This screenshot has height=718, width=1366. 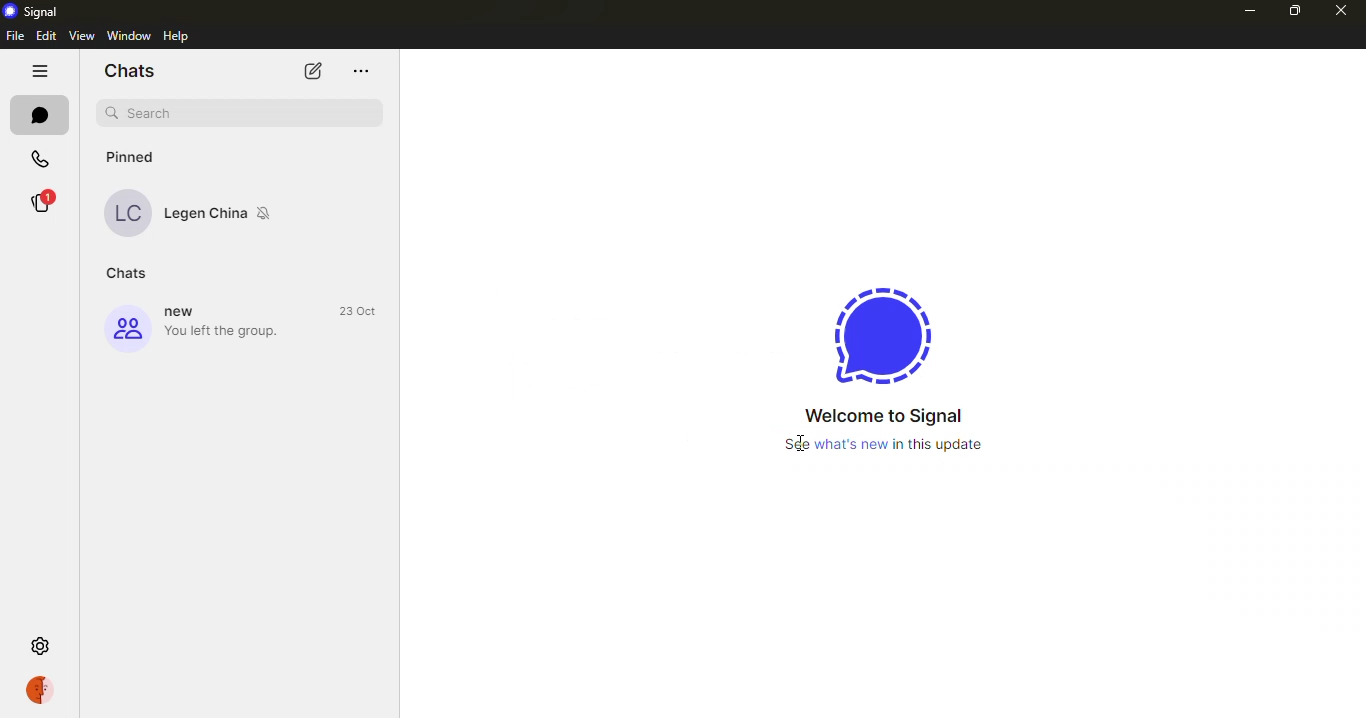 I want to click on New, so click(x=186, y=312).